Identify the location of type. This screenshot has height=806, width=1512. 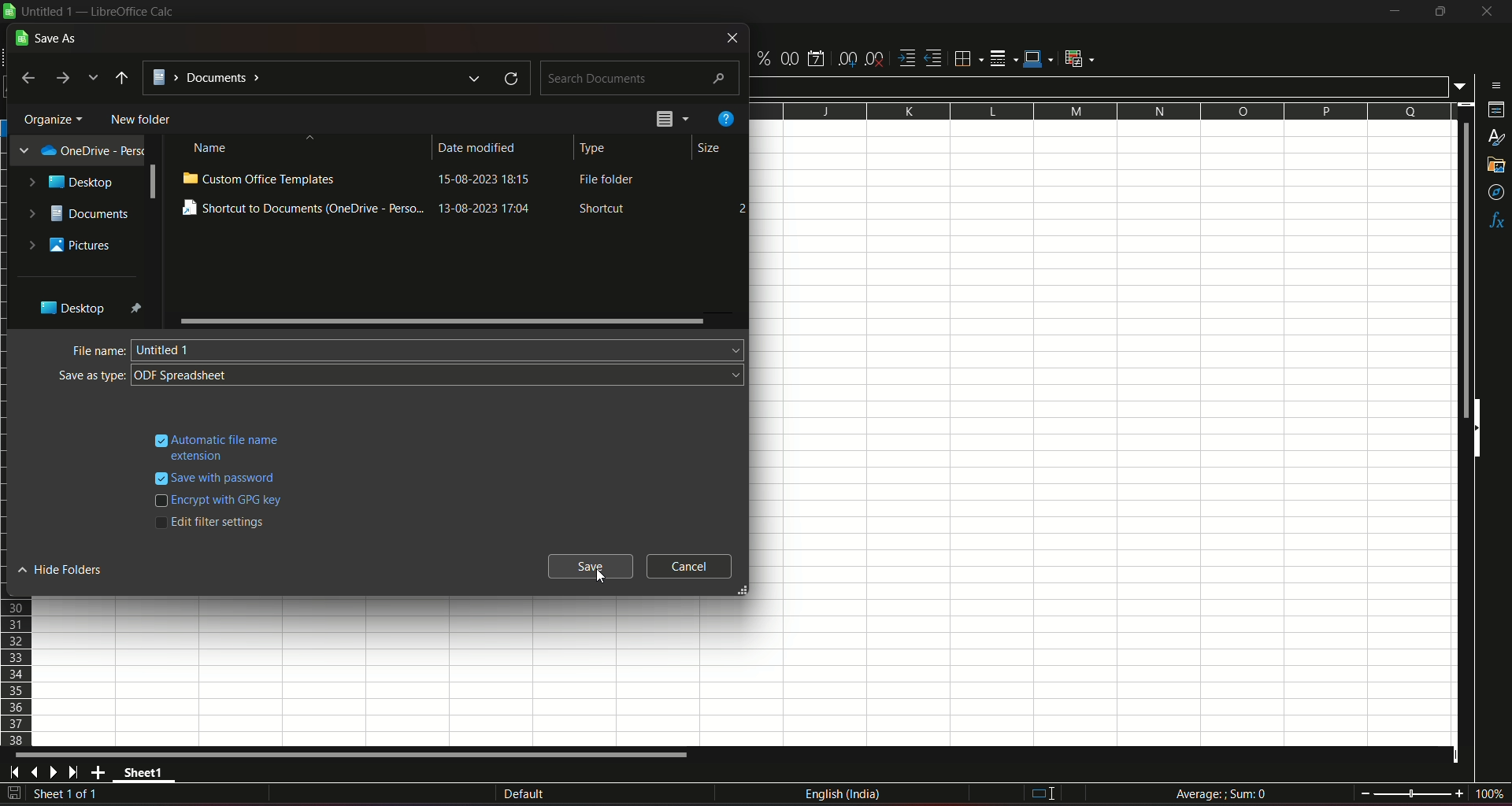
(595, 148).